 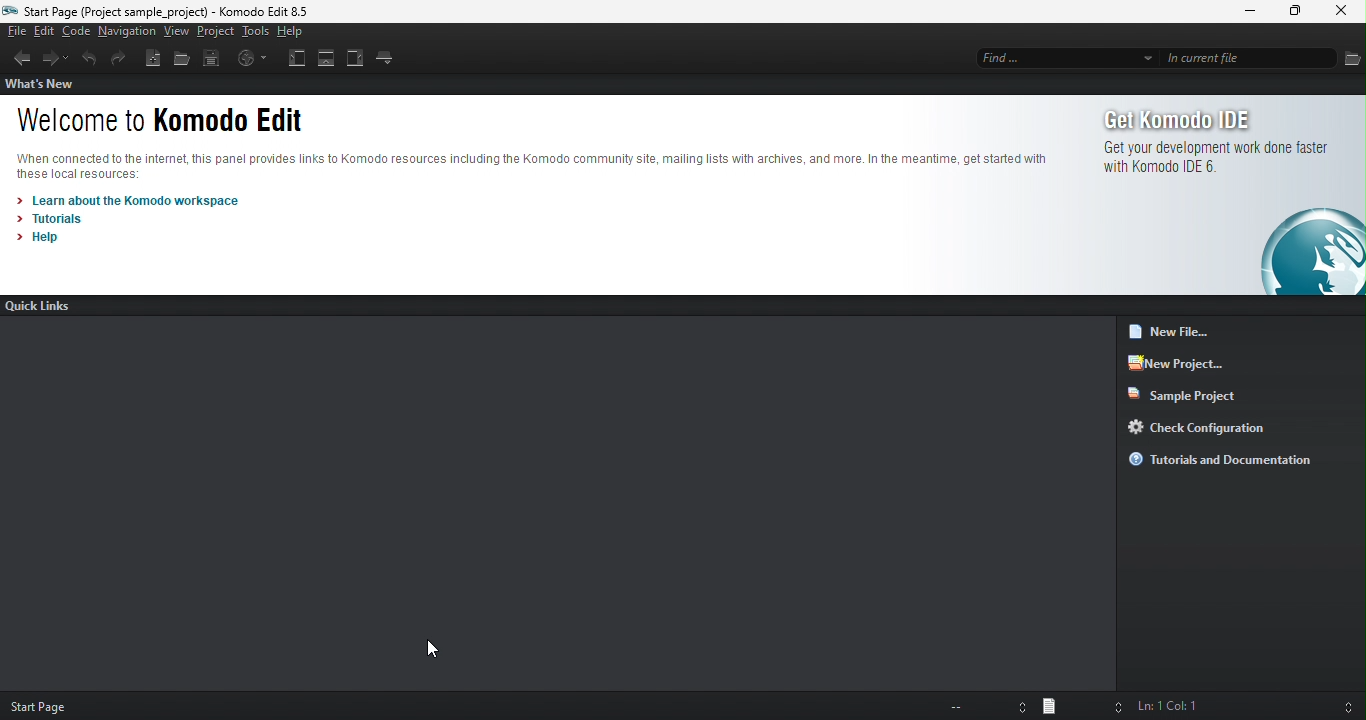 What do you see at coordinates (45, 31) in the screenshot?
I see `edit` at bounding box center [45, 31].